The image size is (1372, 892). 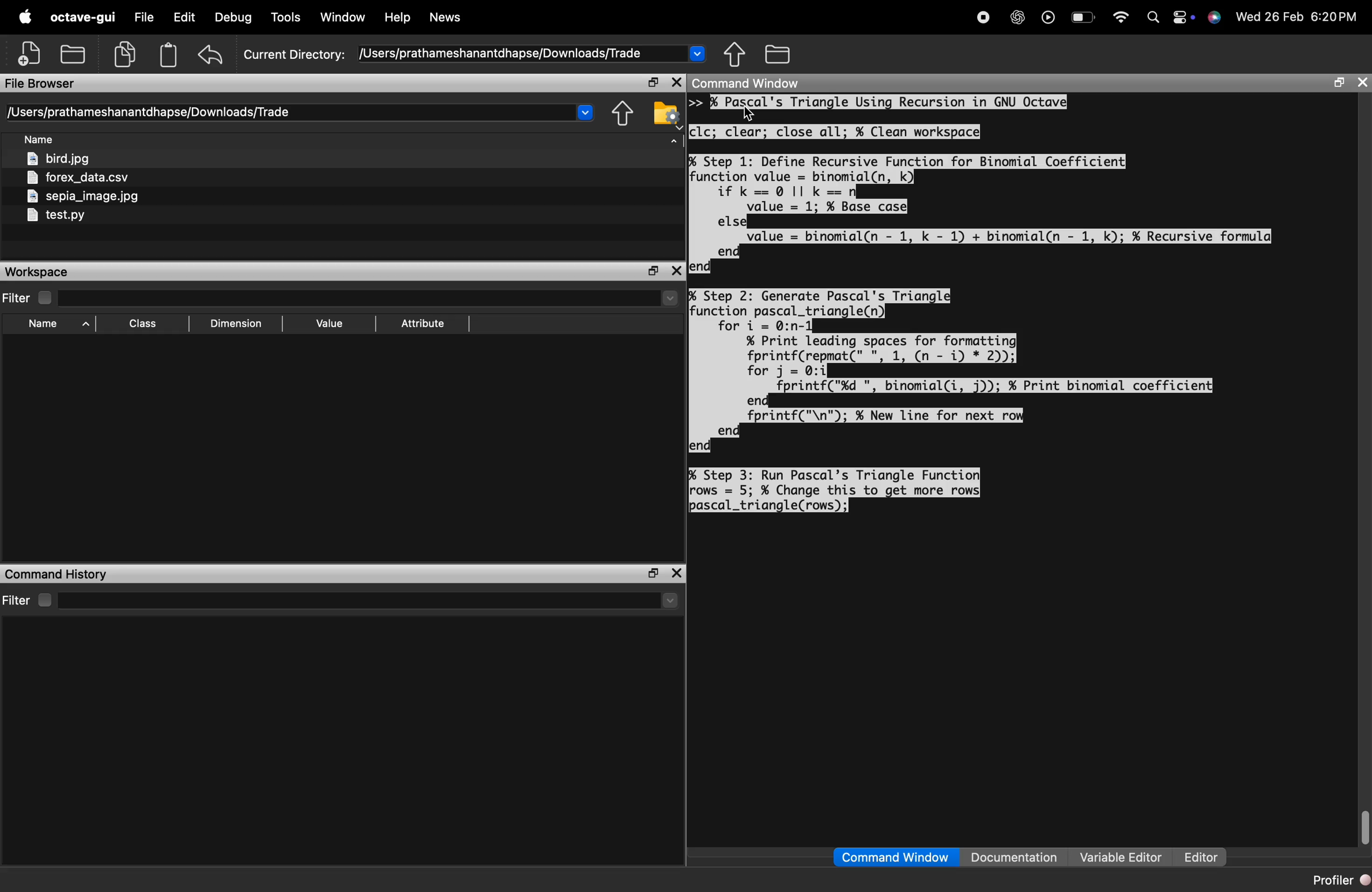 What do you see at coordinates (735, 54) in the screenshot?
I see `Go back` at bounding box center [735, 54].